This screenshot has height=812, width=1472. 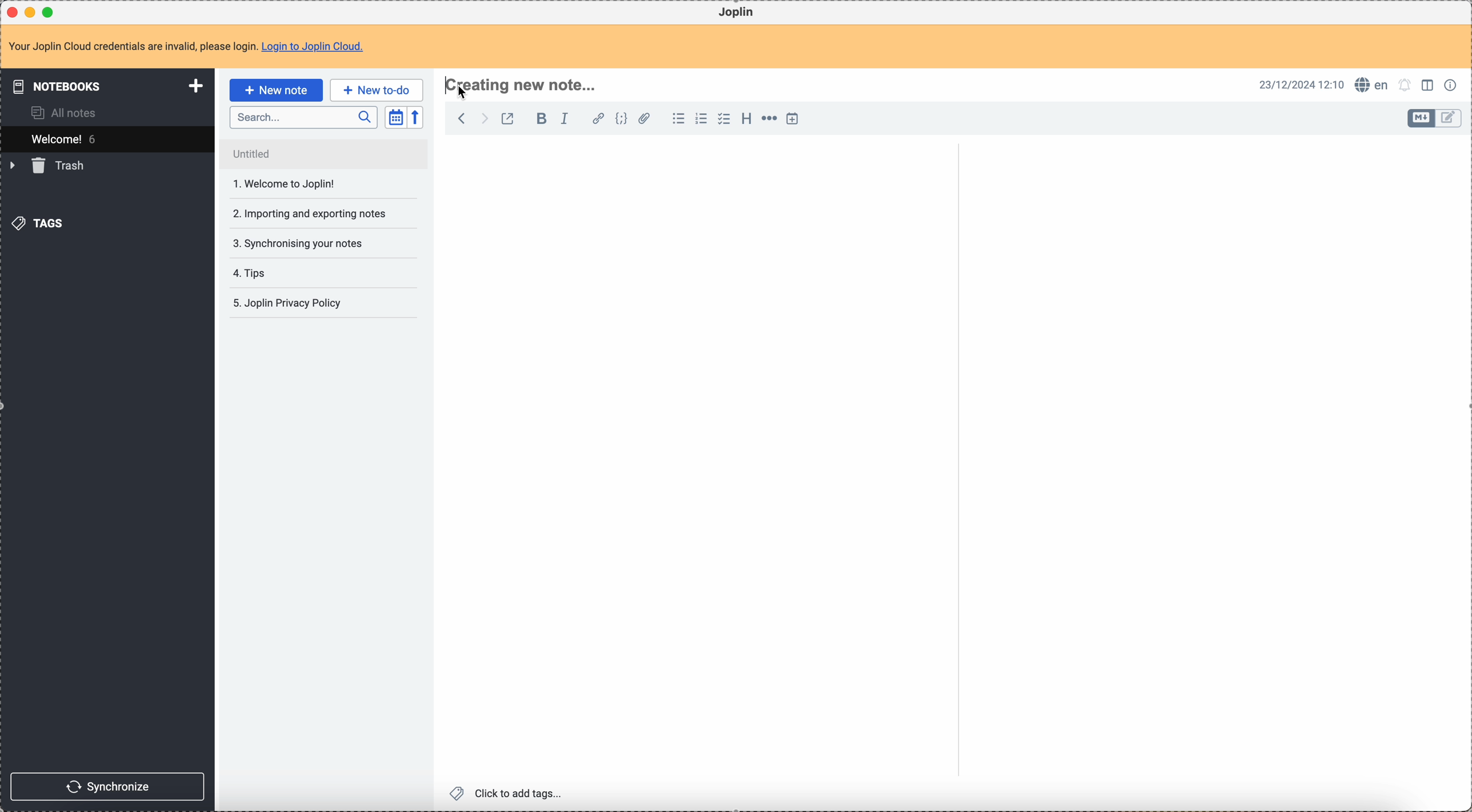 I want to click on tags, so click(x=42, y=223).